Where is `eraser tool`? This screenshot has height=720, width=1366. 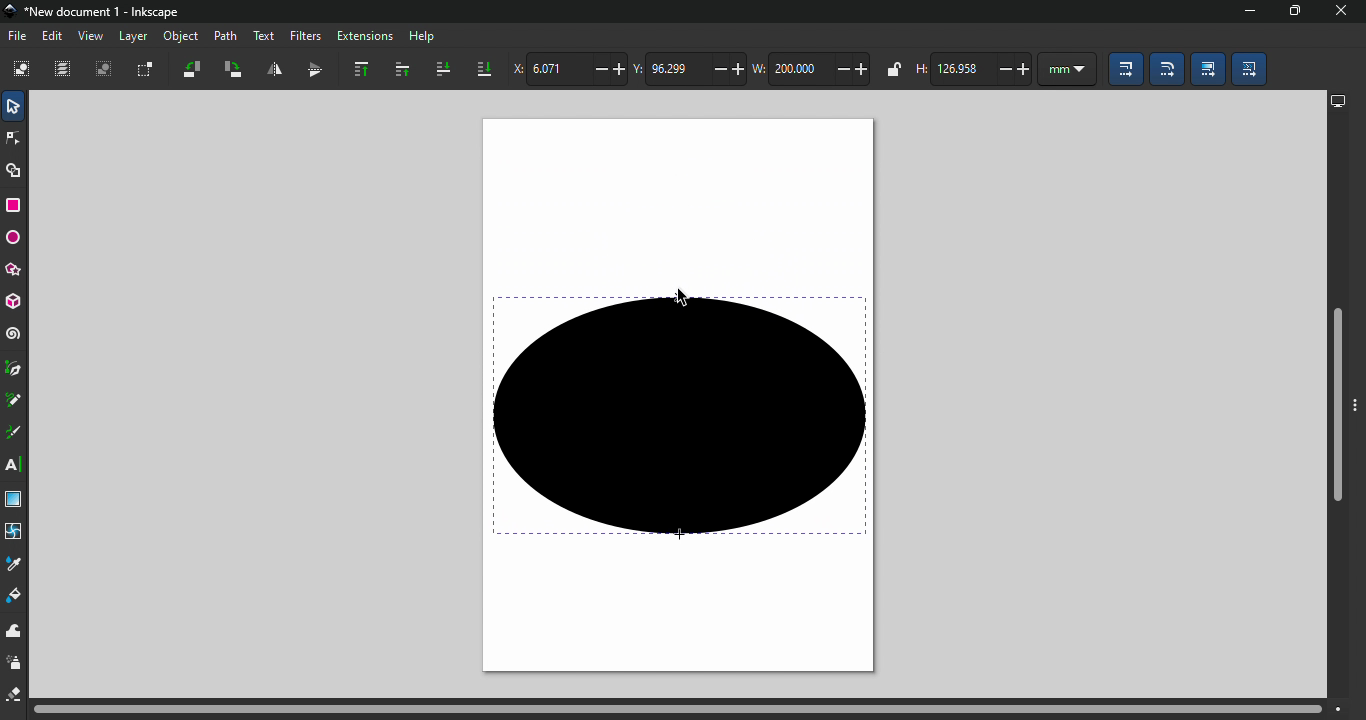 eraser tool is located at coordinates (15, 696).